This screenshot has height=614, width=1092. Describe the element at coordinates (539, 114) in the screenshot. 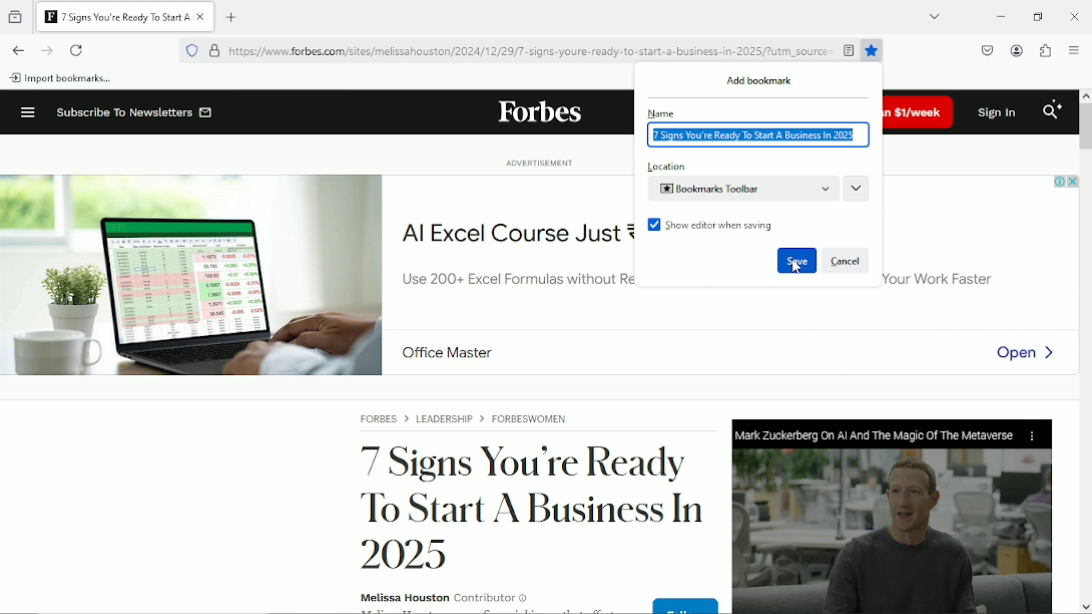

I see `forbes` at that location.